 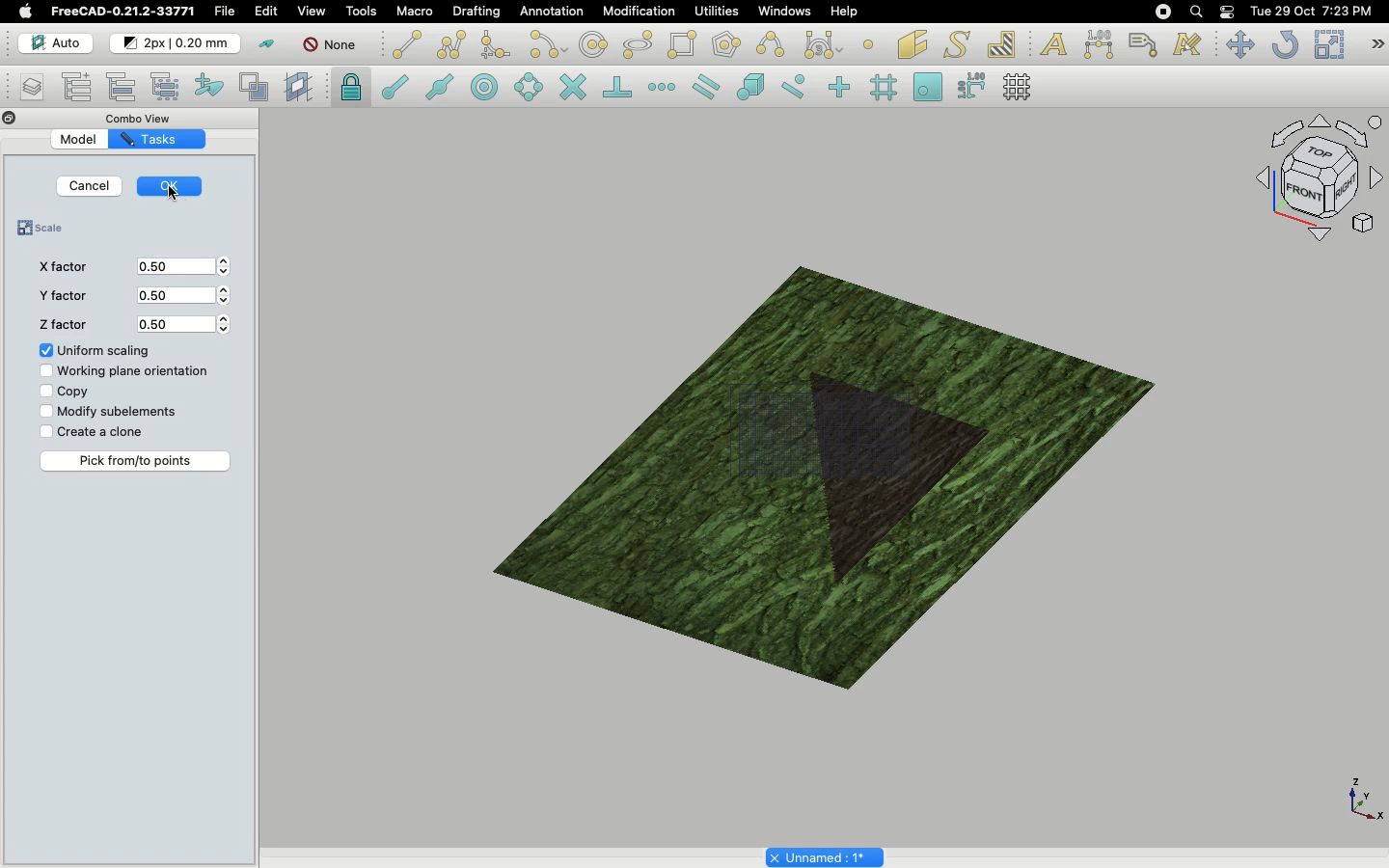 I want to click on Auto, so click(x=49, y=42).